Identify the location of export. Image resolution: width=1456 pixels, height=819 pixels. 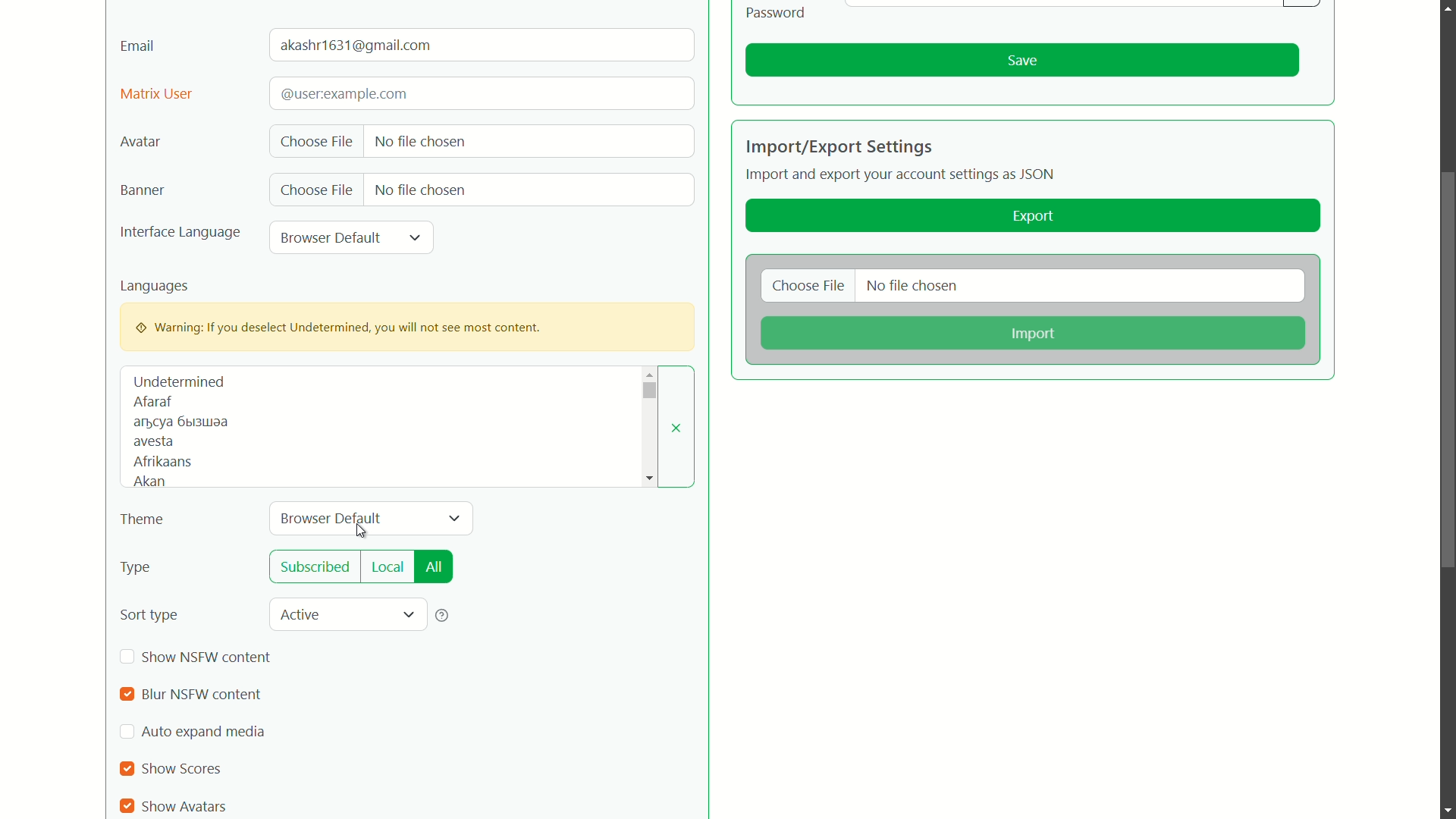
(1034, 217).